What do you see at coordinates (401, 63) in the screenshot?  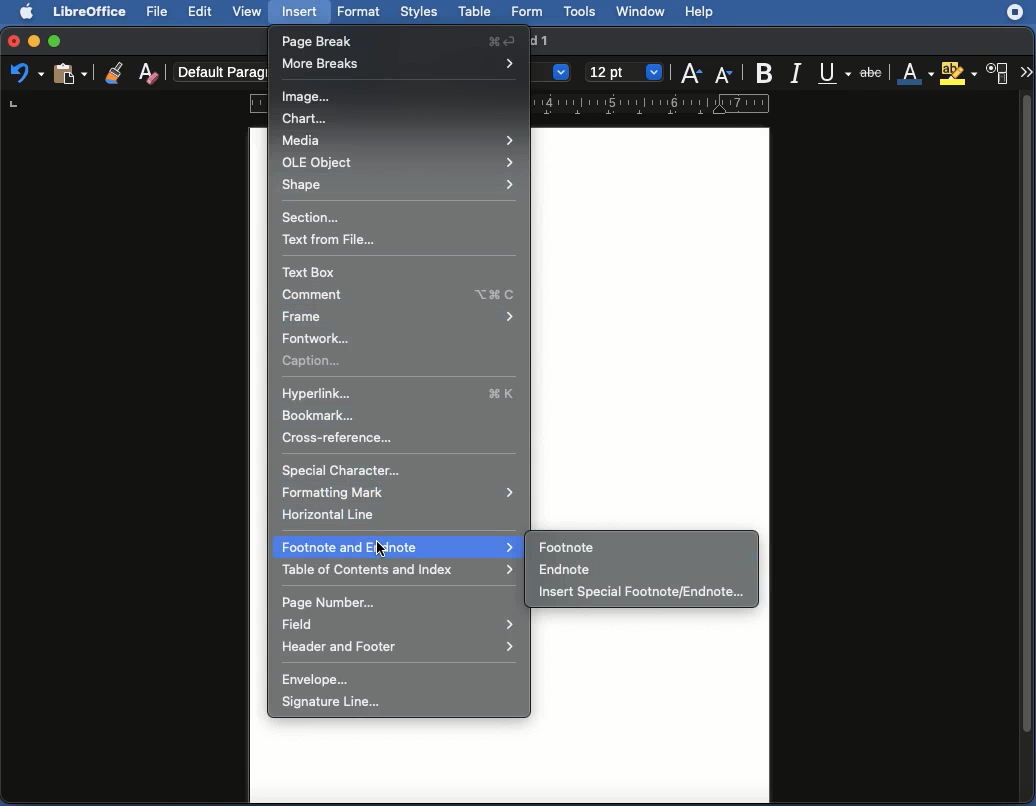 I see `More breaks` at bounding box center [401, 63].